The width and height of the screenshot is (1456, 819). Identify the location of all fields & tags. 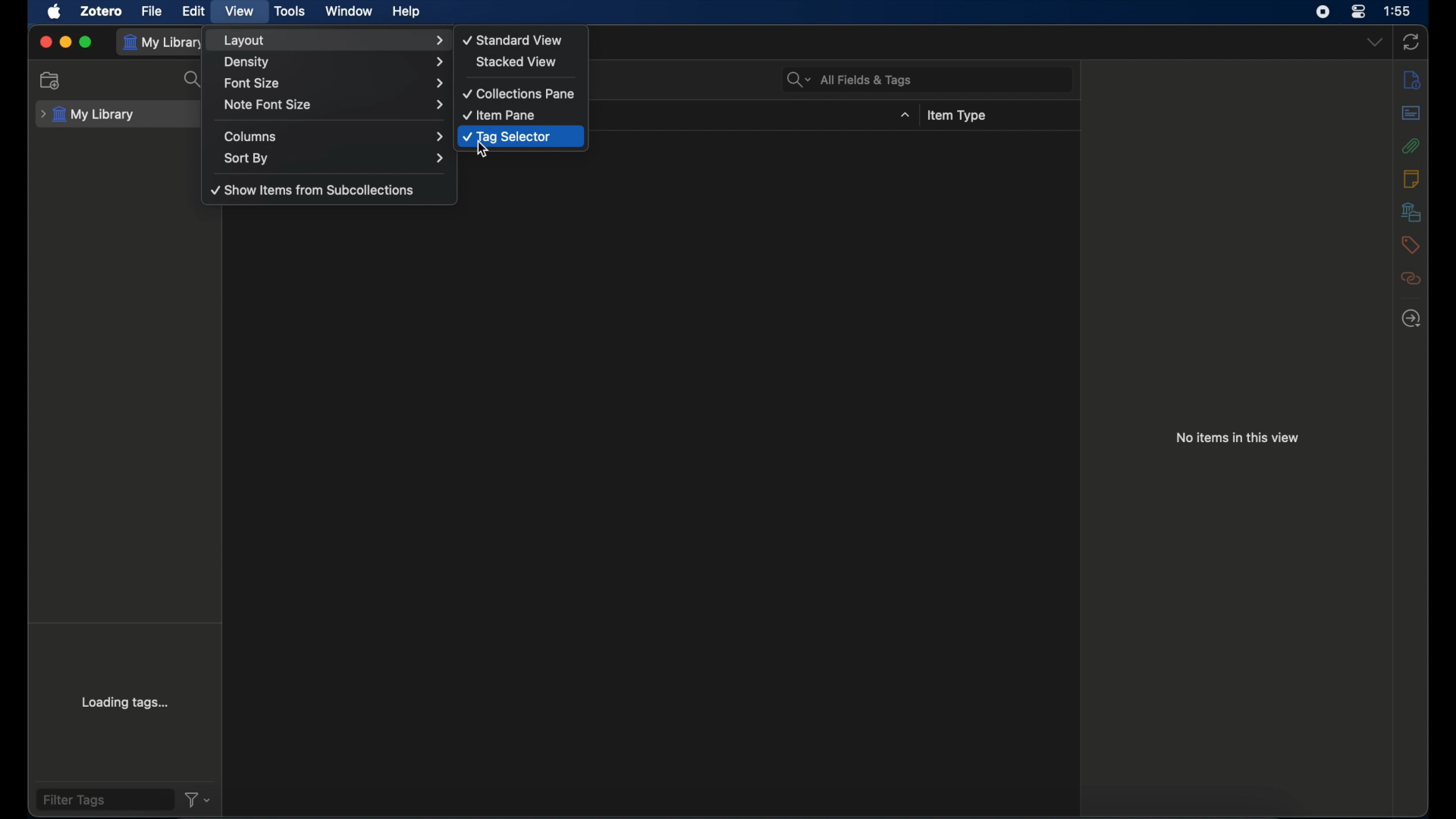
(851, 80).